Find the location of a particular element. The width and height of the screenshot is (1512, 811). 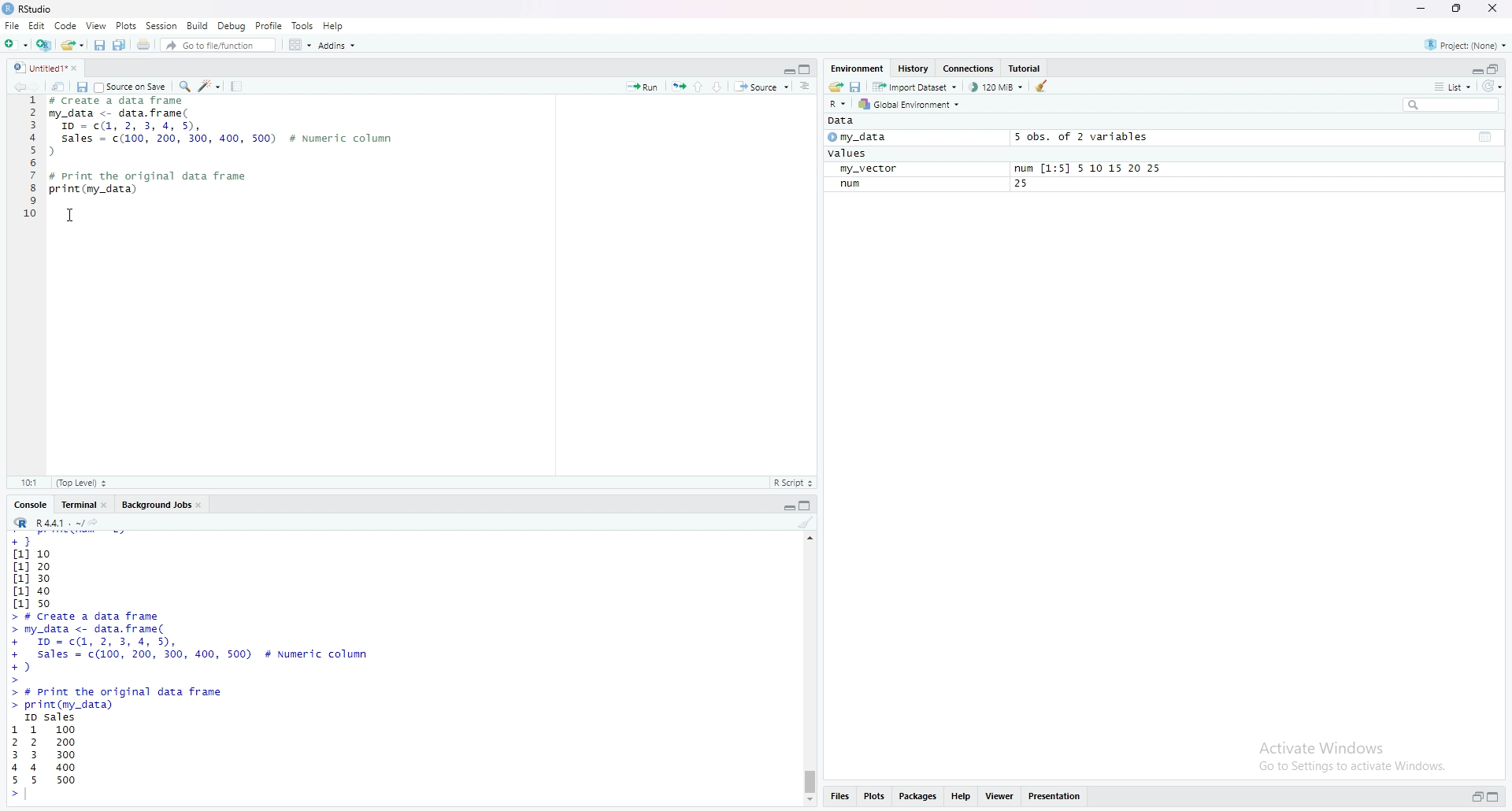

new file is located at coordinates (15, 43).